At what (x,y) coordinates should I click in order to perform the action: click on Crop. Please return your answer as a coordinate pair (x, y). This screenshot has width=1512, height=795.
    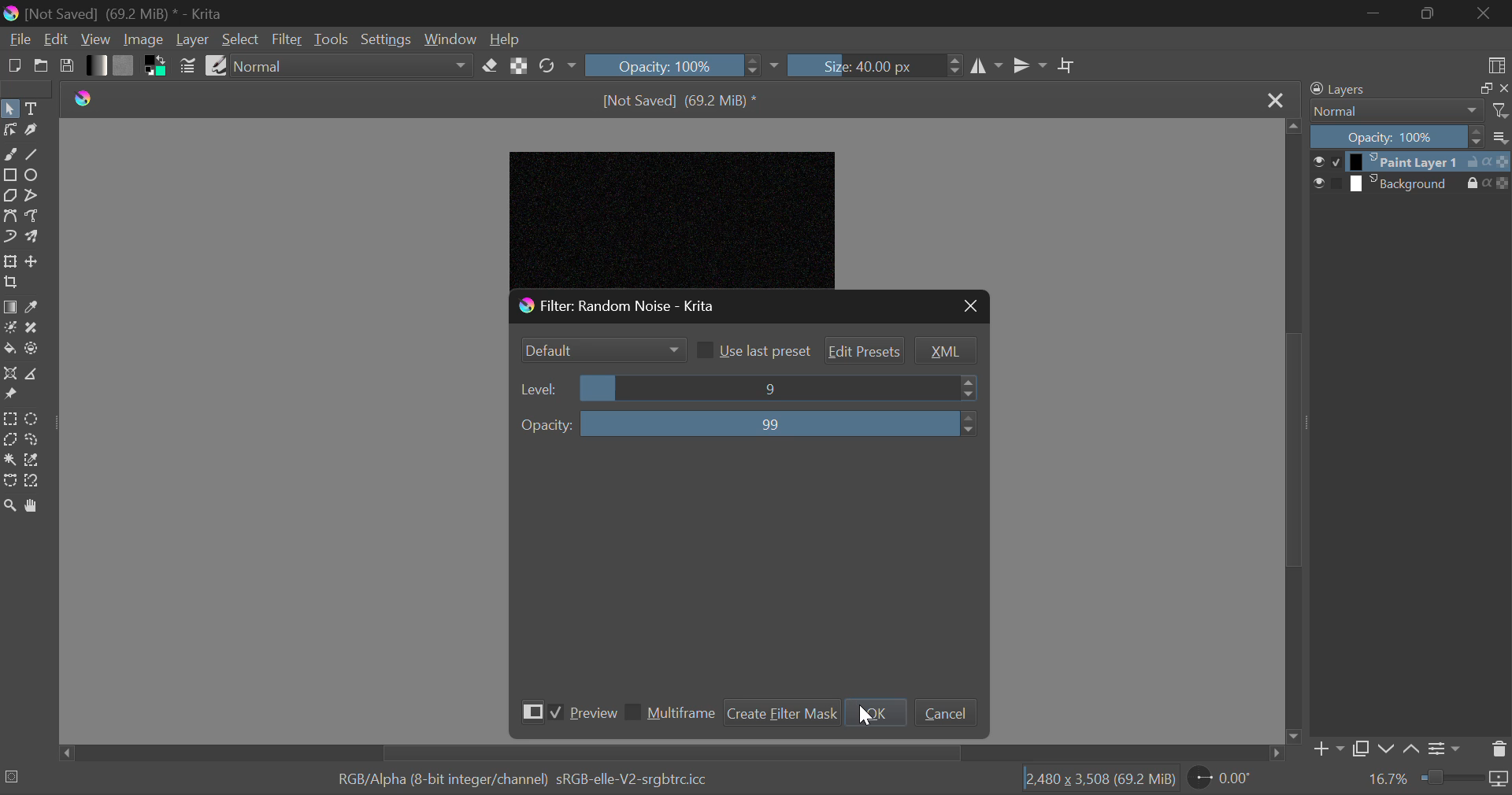
    Looking at the image, I should click on (1067, 66).